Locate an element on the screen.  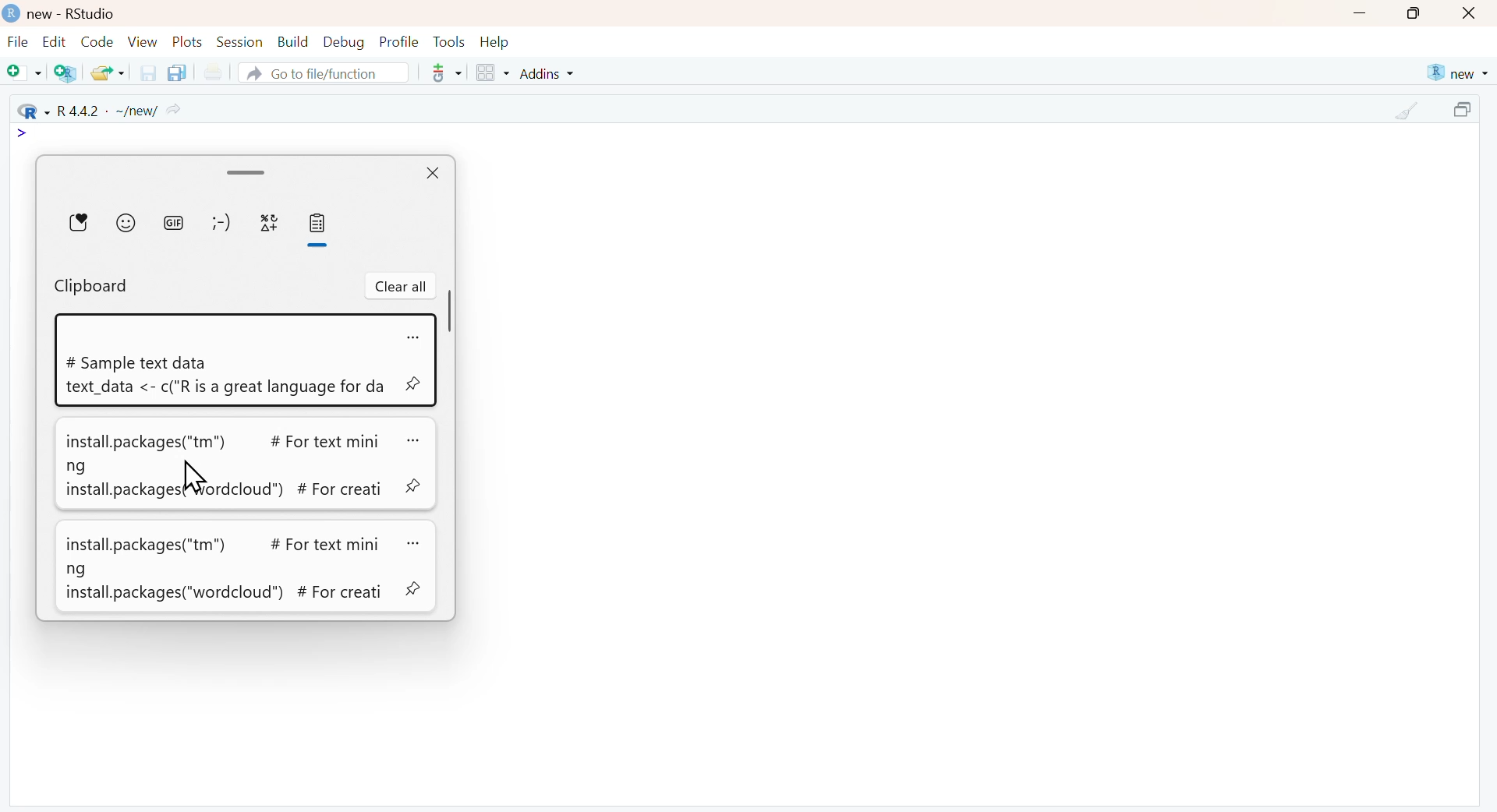
Addins is located at coordinates (548, 74).